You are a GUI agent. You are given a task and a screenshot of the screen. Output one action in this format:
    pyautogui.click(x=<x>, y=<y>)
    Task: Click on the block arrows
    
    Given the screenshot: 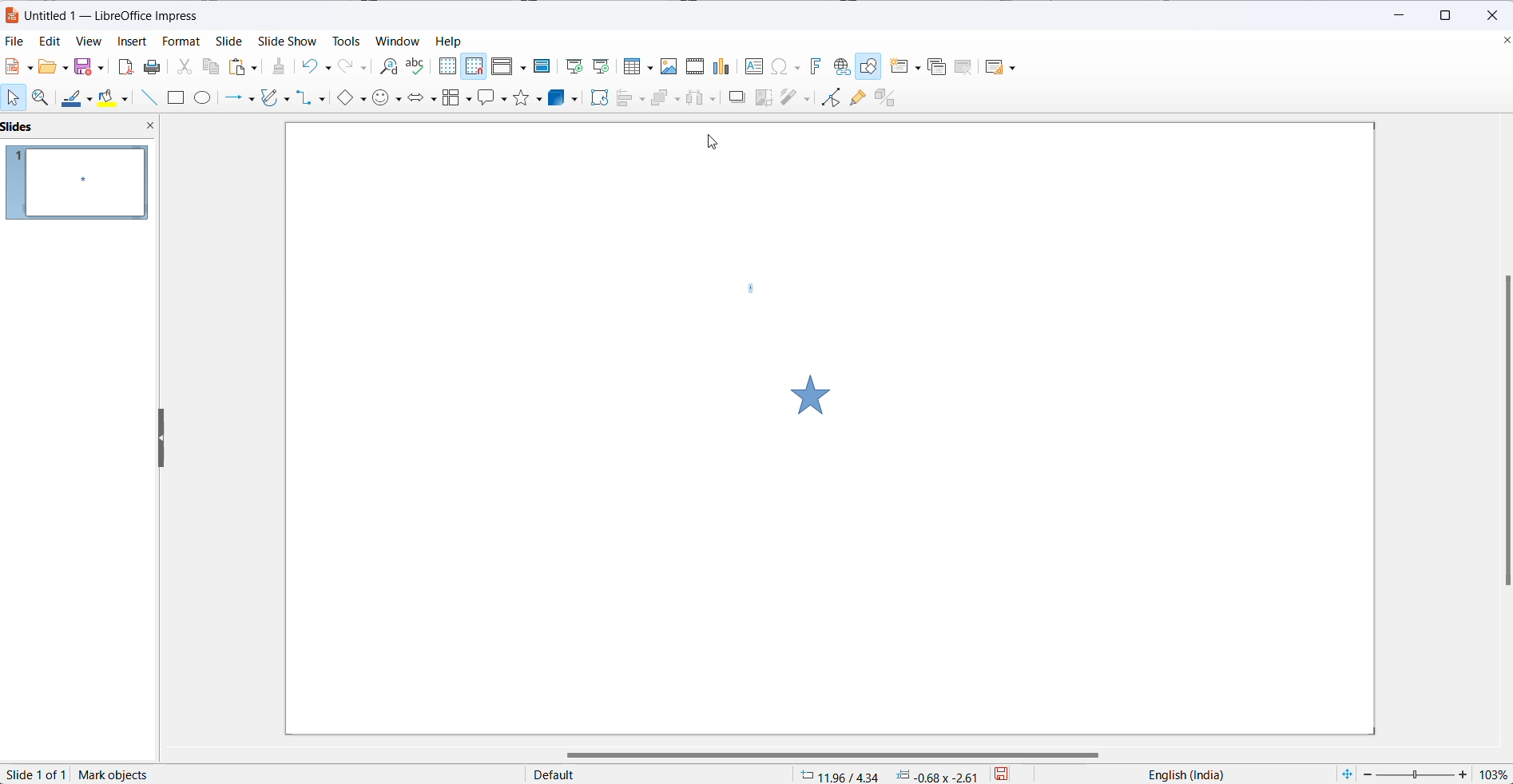 What is the action you would take?
    pyautogui.click(x=421, y=97)
    